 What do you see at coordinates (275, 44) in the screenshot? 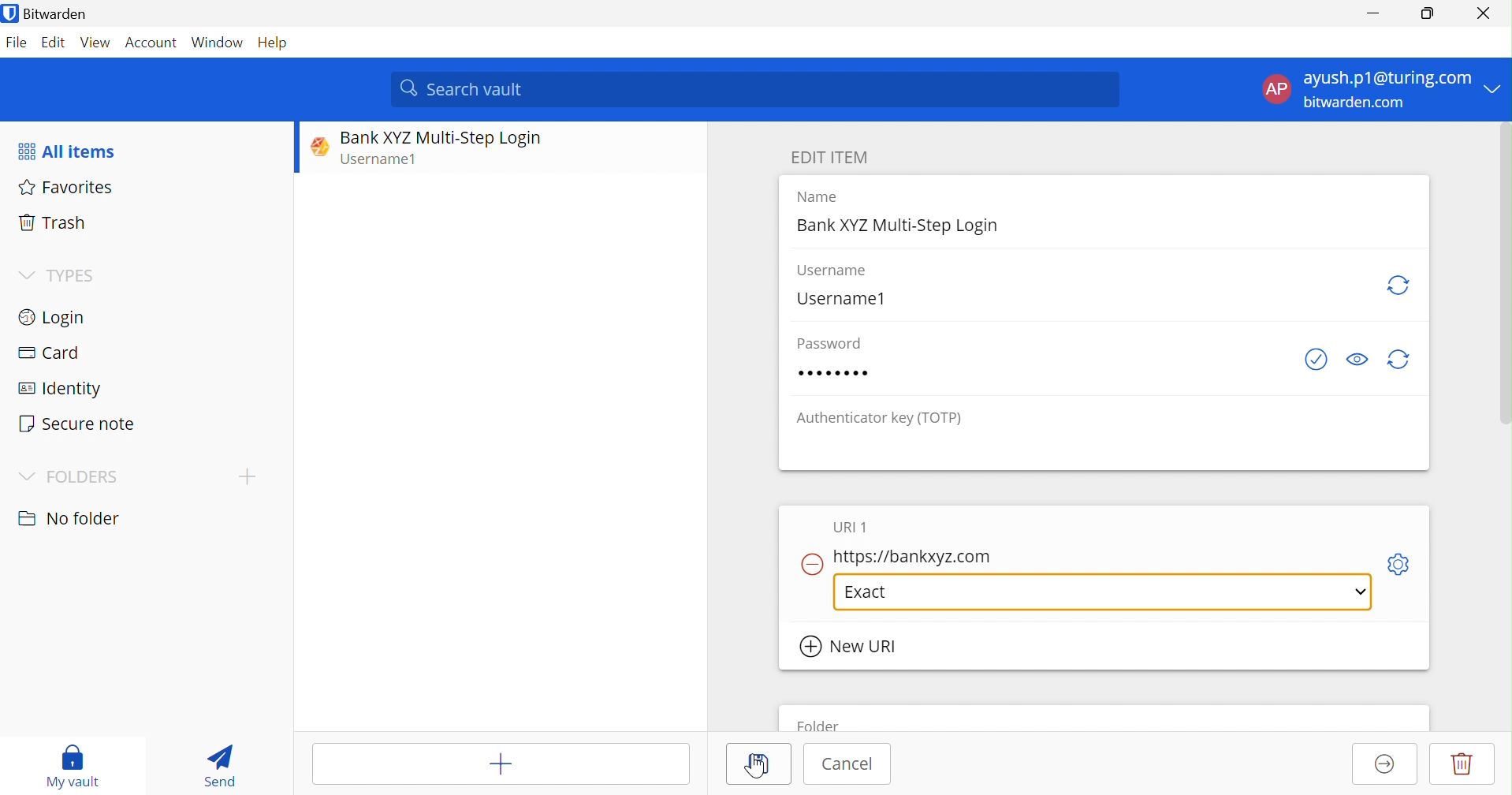
I see `Help` at bounding box center [275, 44].